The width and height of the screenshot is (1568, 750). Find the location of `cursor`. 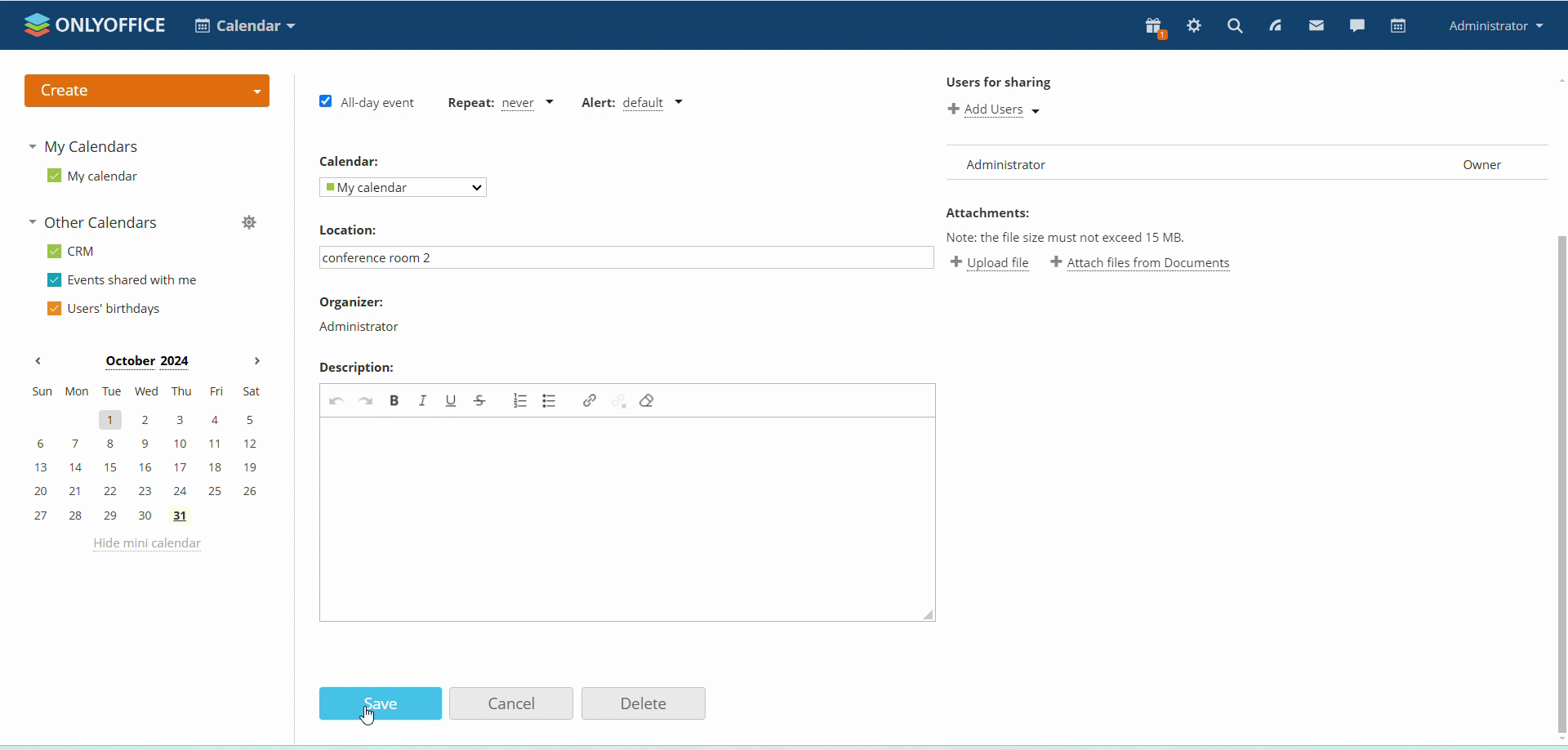

cursor is located at coordinates (365, 717).